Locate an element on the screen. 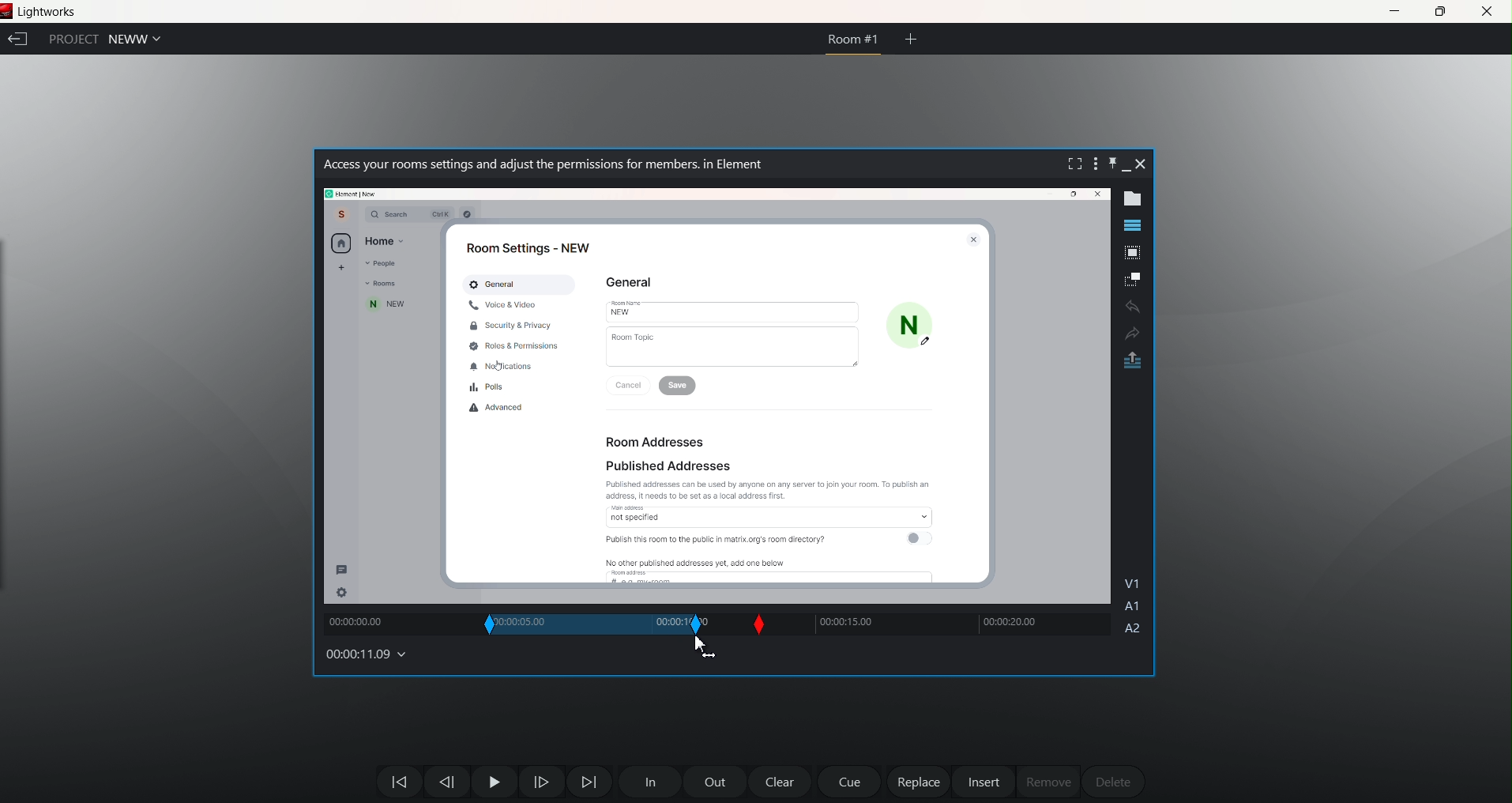 The height and width of the screenshot is (803, 1512). clear is located at coordinates (777, 779).